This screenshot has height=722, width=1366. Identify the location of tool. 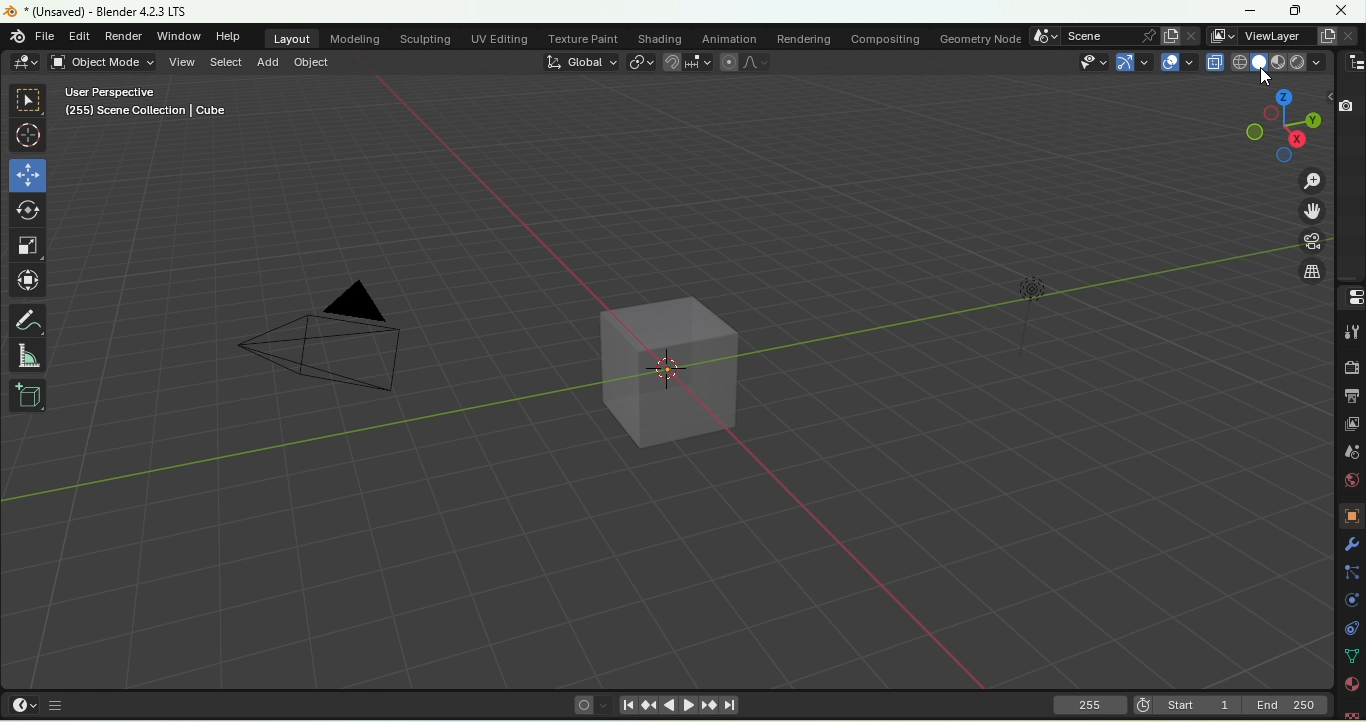
(1350, 334).